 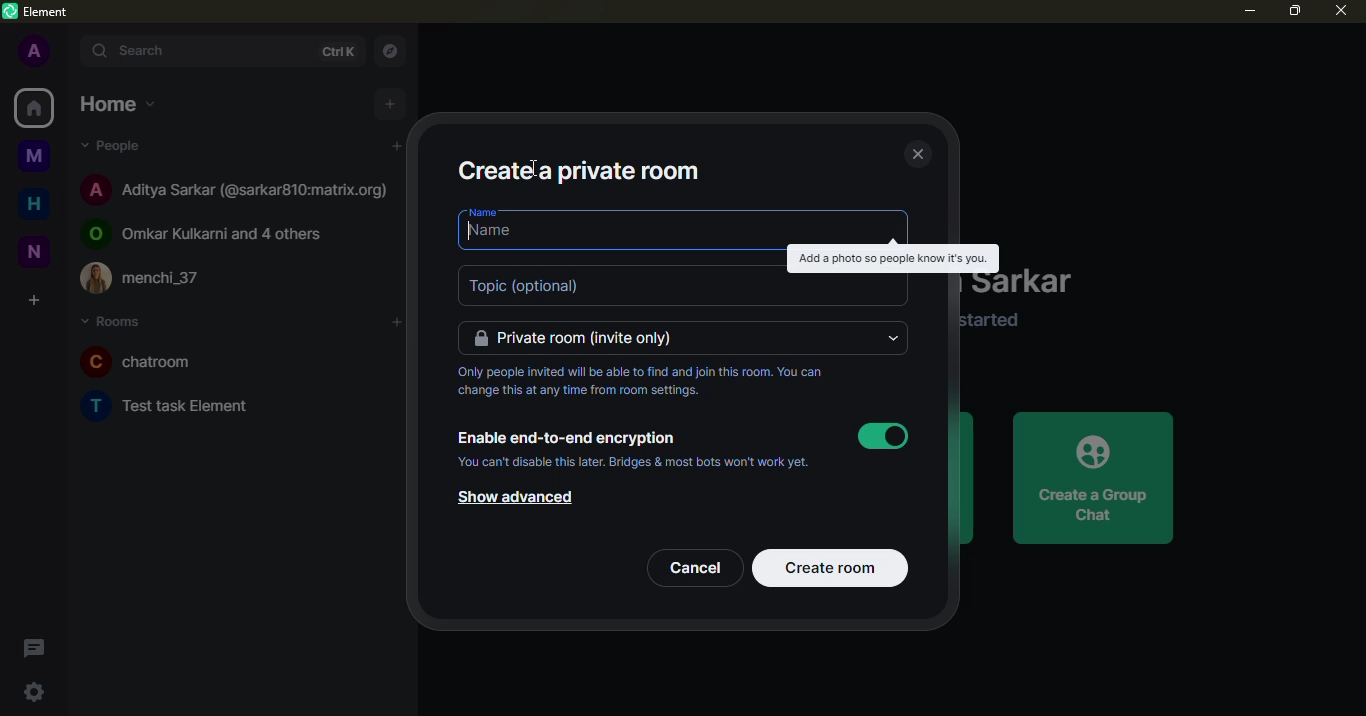 What do you see at coordinates (834, 566) in the screenshot?
I see `create room` at bounding box center [834, 566].